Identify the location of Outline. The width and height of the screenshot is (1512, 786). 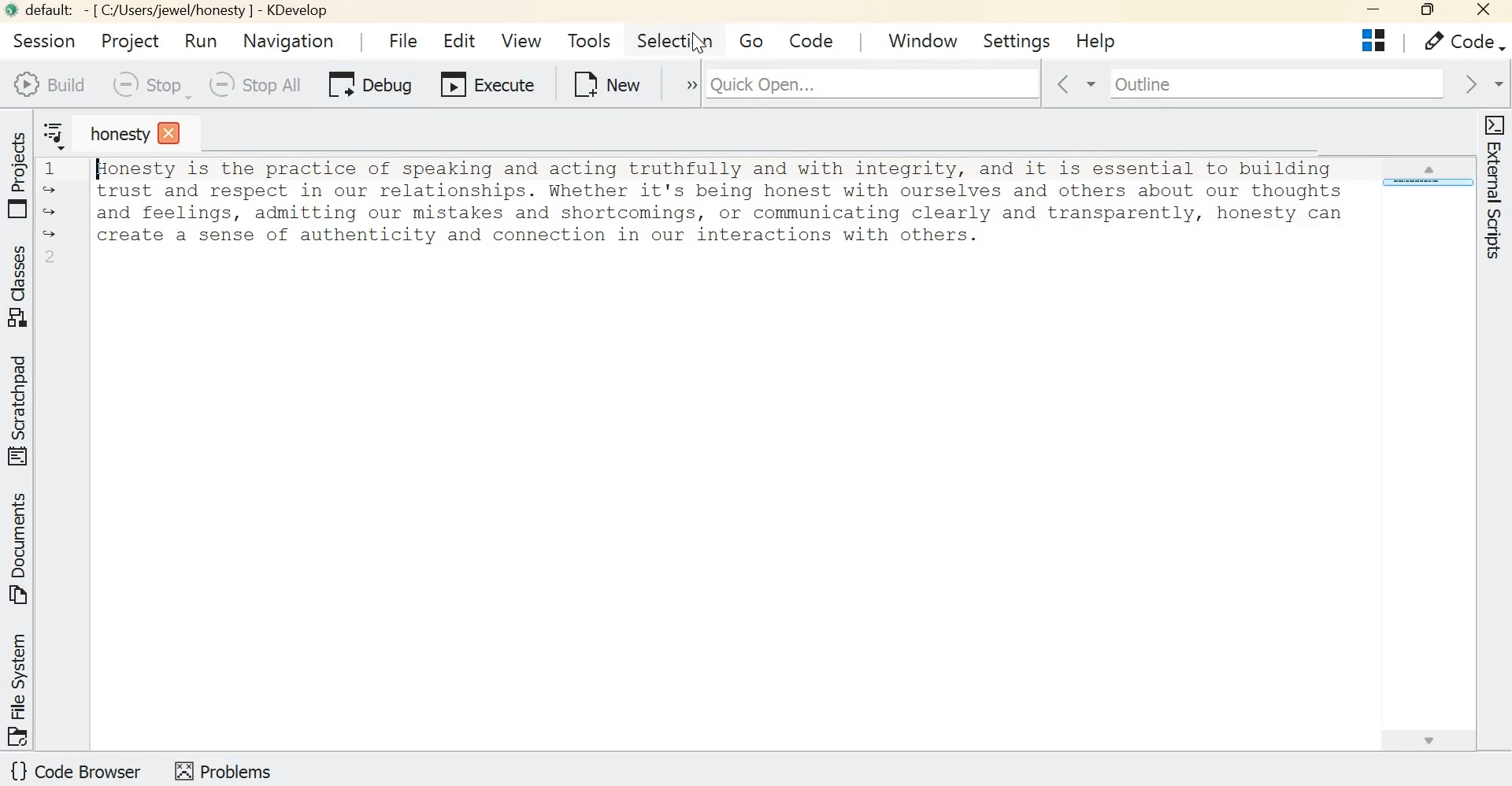
(1263, 83).